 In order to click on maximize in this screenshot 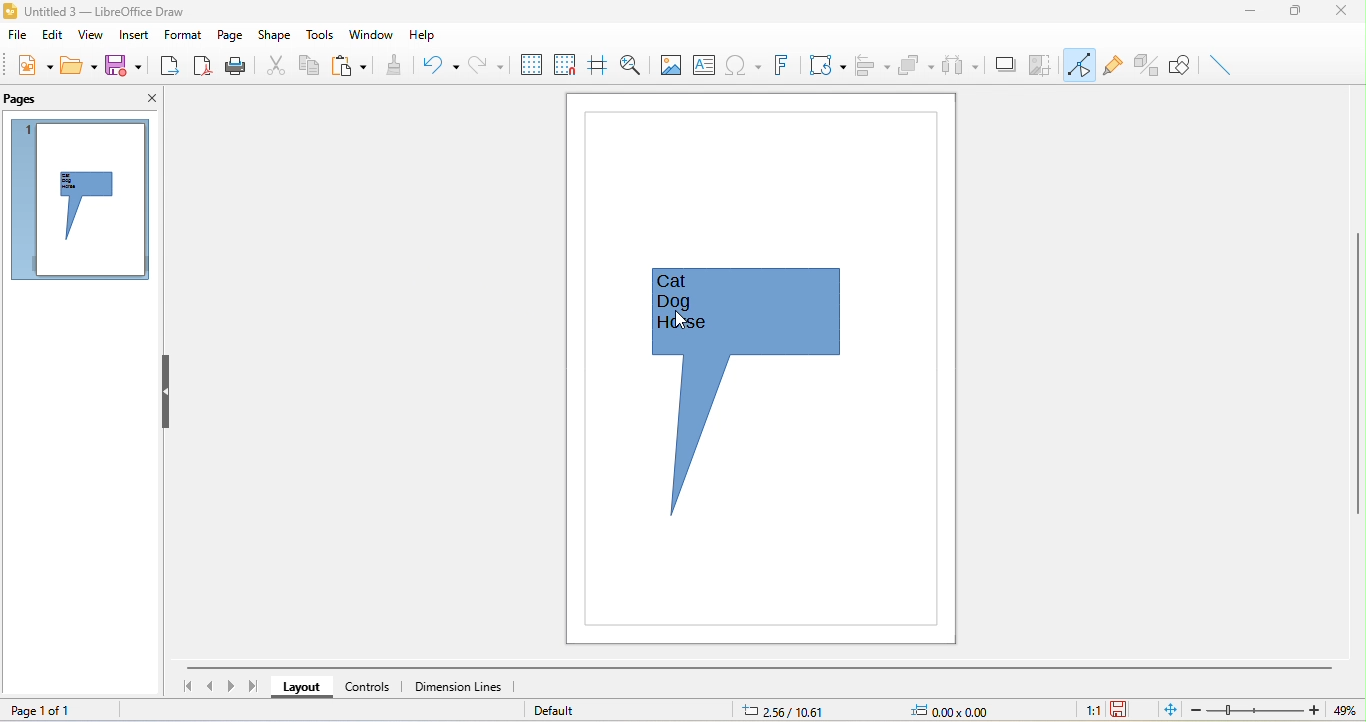, I will do `click(1295, 12)`.